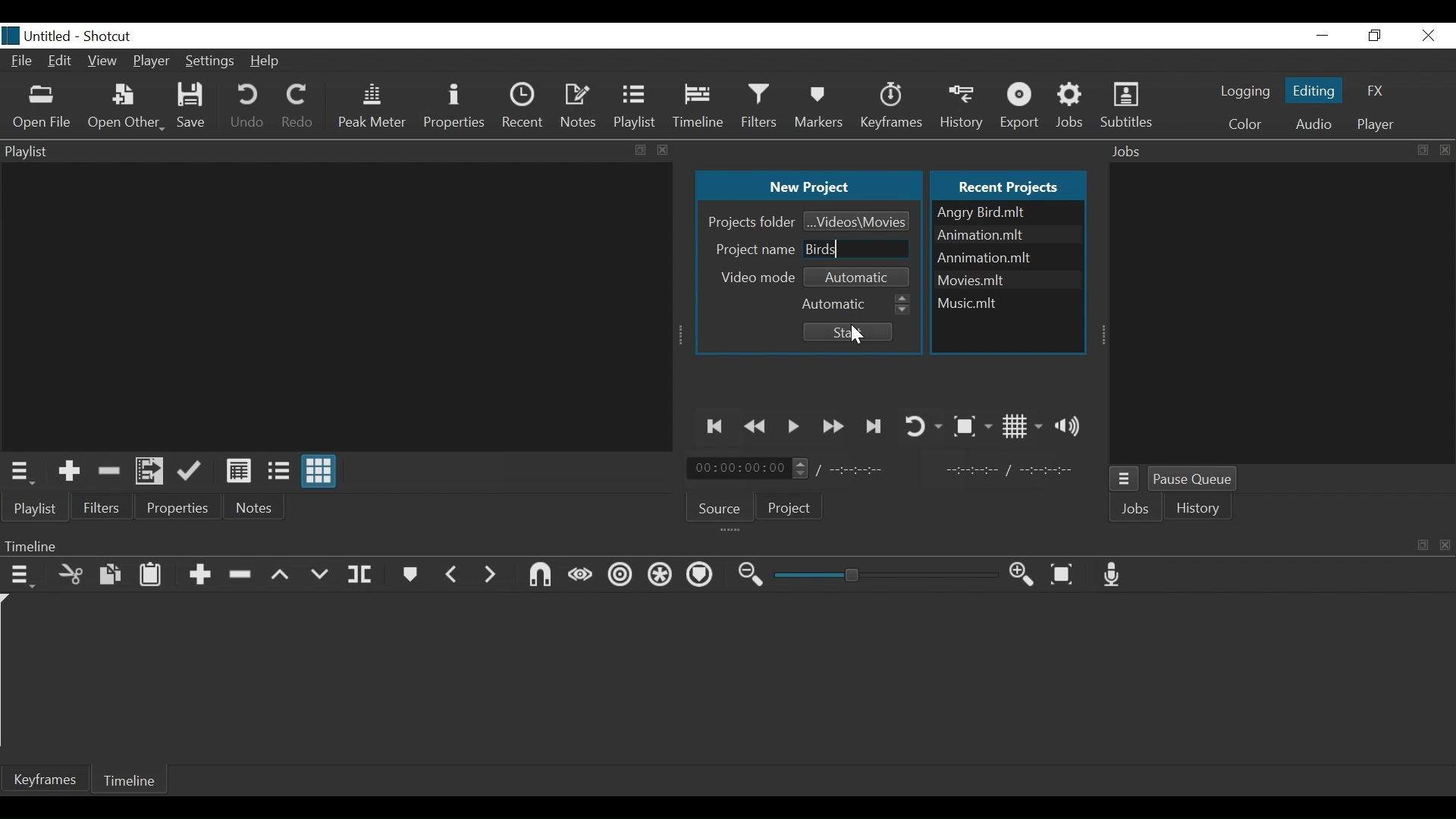 The width and height of the screenshot is (1456, 819). Describe the element at coordinates (297, 108) in the screenshot. I see `Redo` at that location.